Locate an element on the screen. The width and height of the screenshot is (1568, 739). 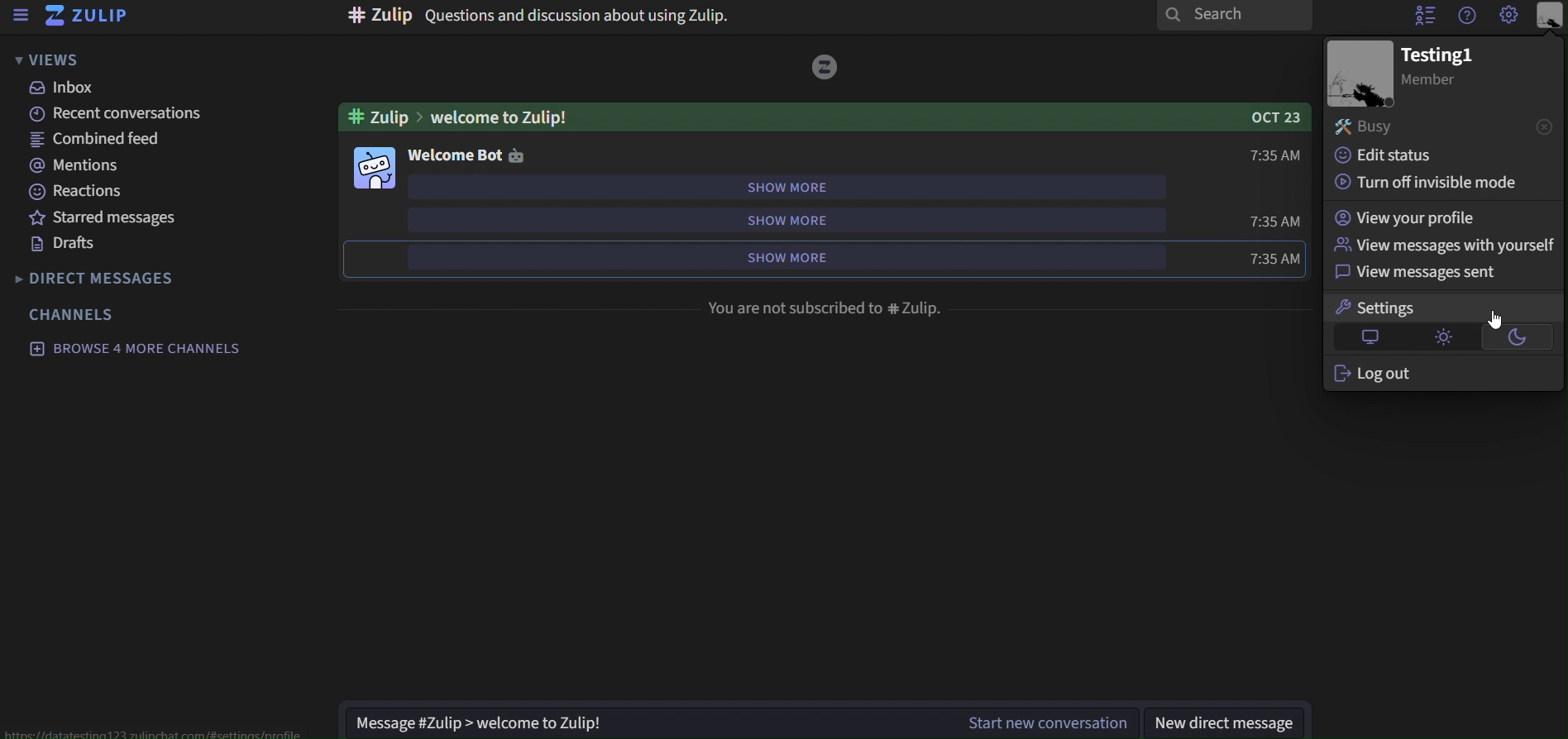
image is located at coordinates (825, 66).